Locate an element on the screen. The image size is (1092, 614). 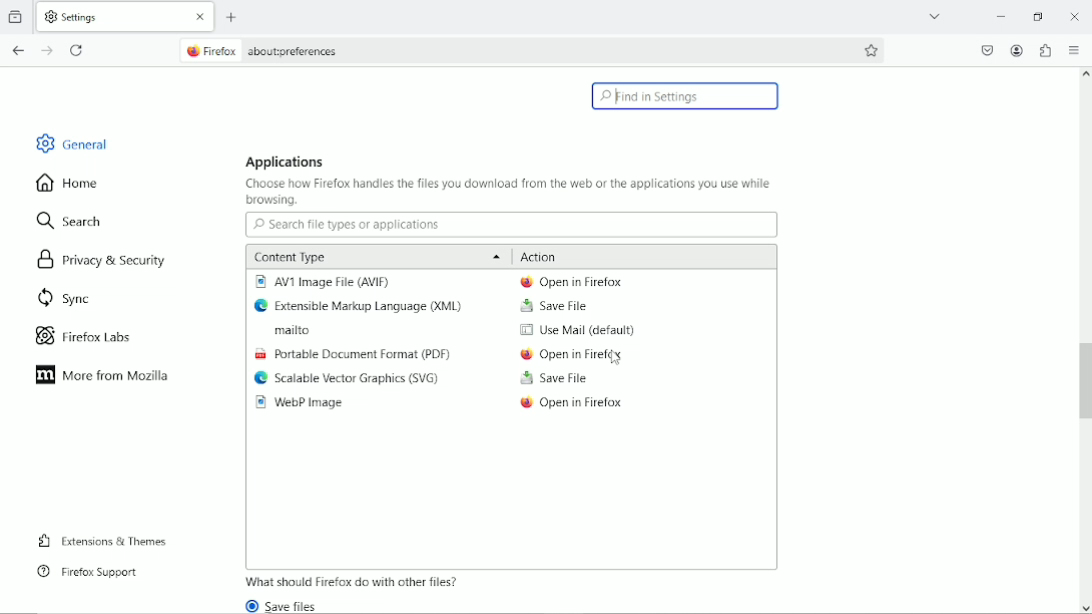
Choose how firefox handles the files you download from the web or the applications you use while browsing is located at coordinates (509, 193).